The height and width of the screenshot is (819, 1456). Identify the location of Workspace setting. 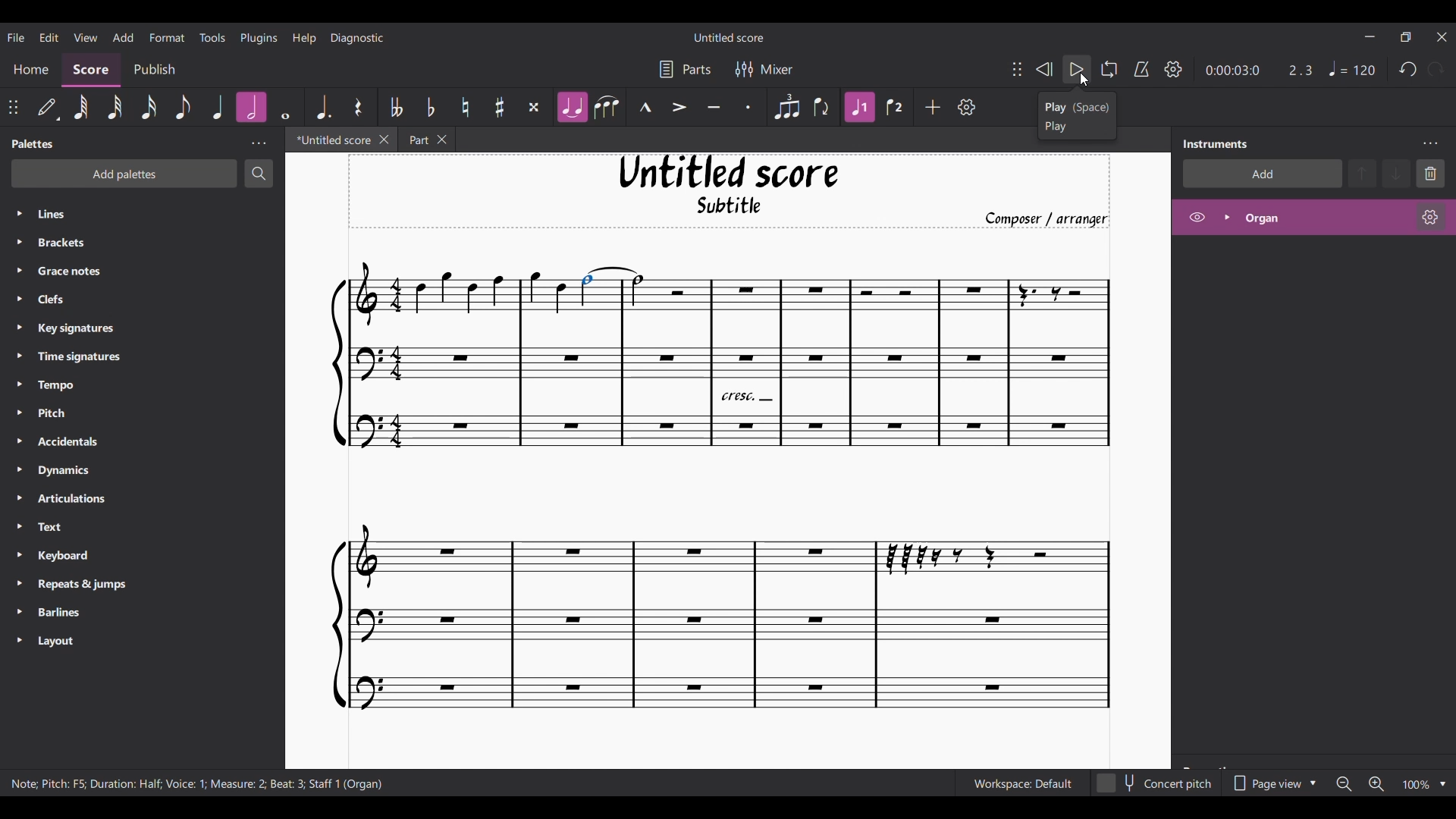
(1022, 783).